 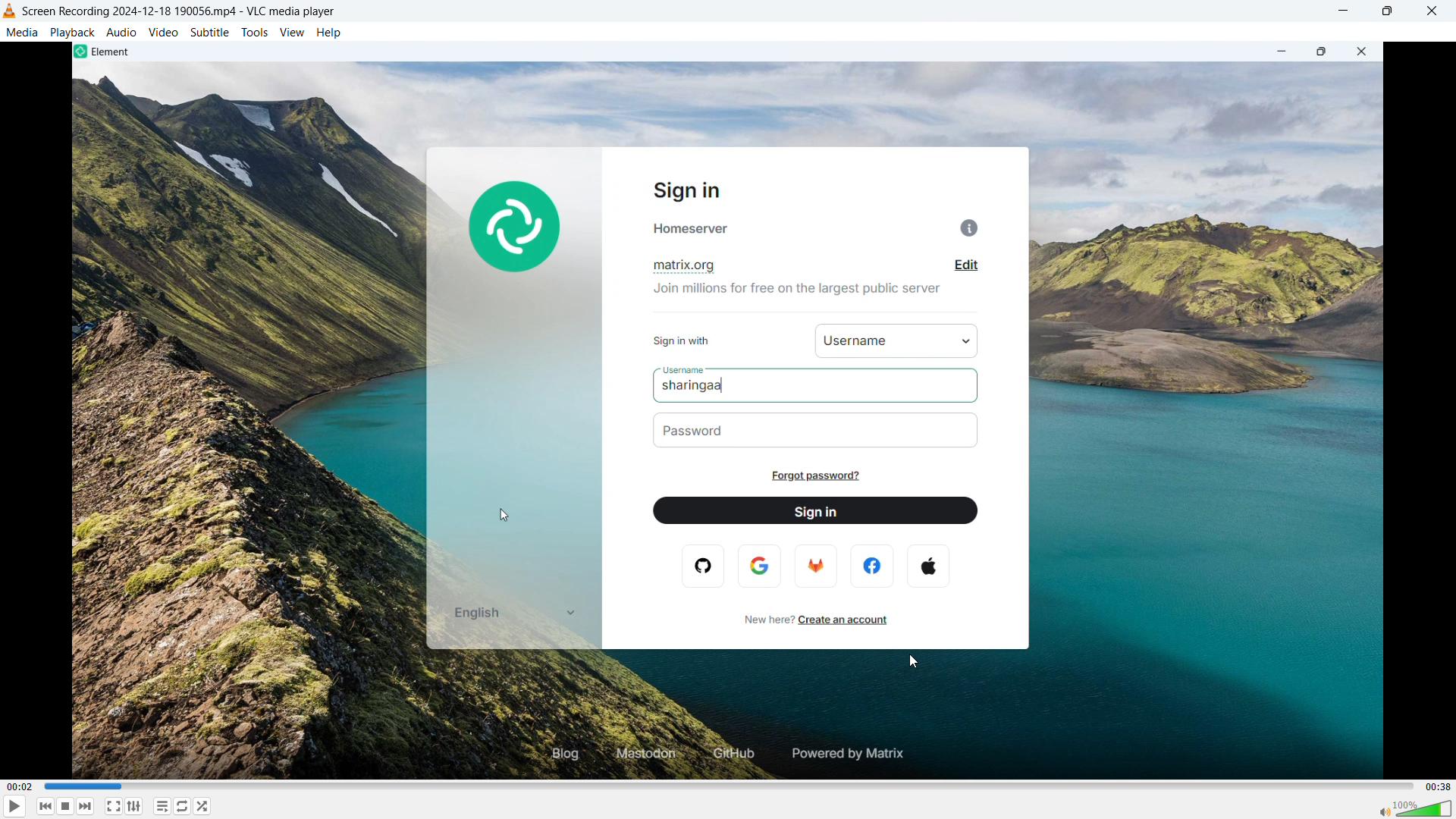 What do you see at coordinates (163, 33) in the screenshot?
I see `Video ` at bounding box center [163, 33].